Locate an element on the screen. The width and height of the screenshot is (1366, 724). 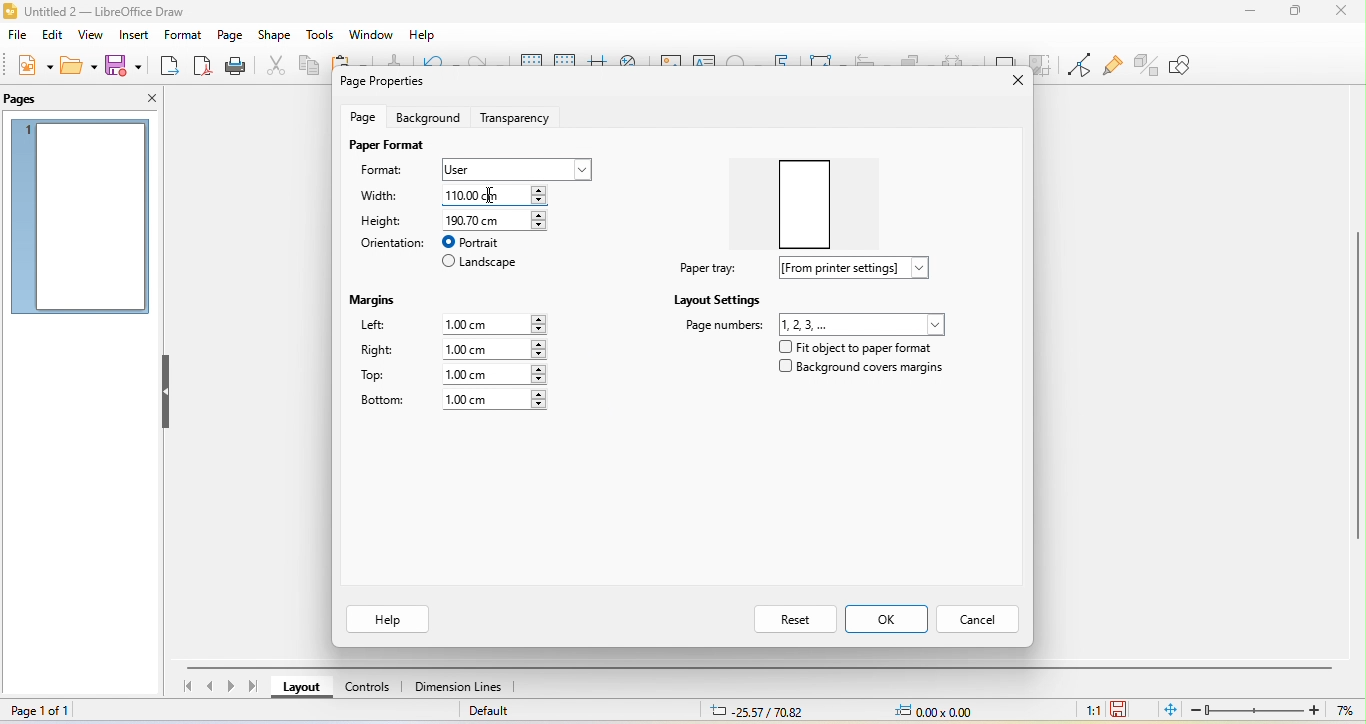
shape is located at coordinates (275, 36).